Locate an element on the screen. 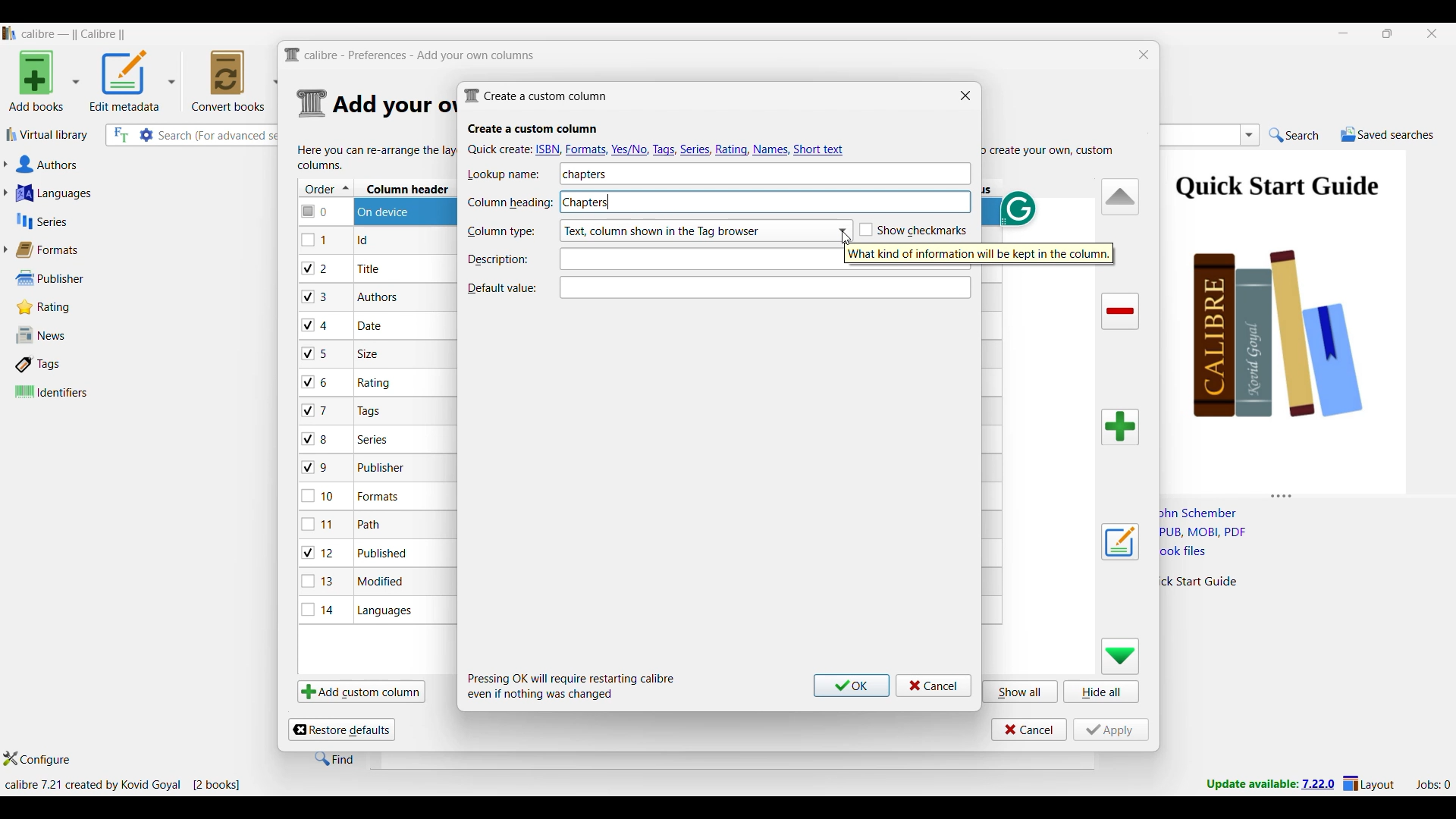 This screenshot has width=1456, height=819. Delete column is located at coordinates (1121, 312).